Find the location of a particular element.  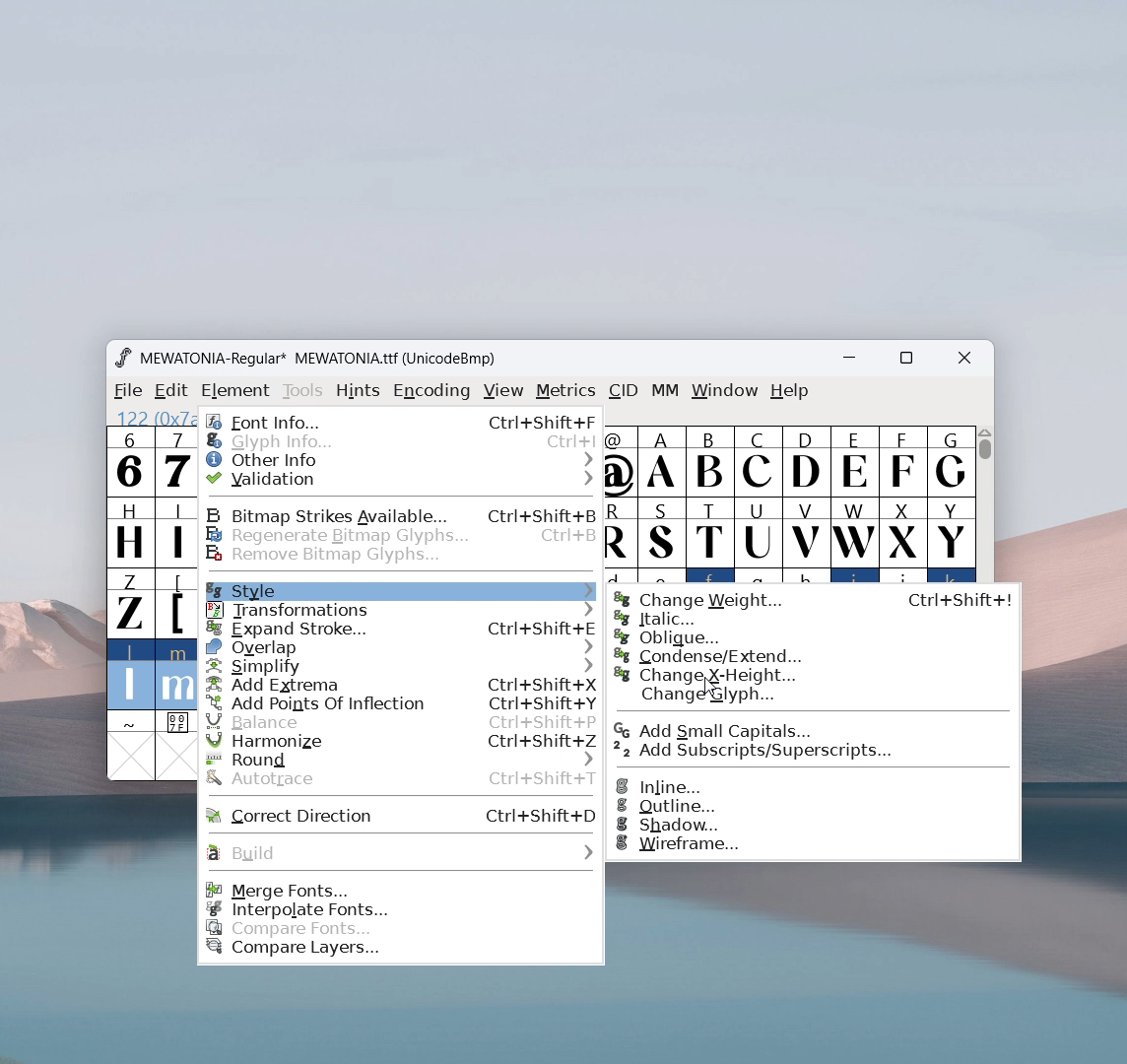

oblique is located at coordinates (815, 638).